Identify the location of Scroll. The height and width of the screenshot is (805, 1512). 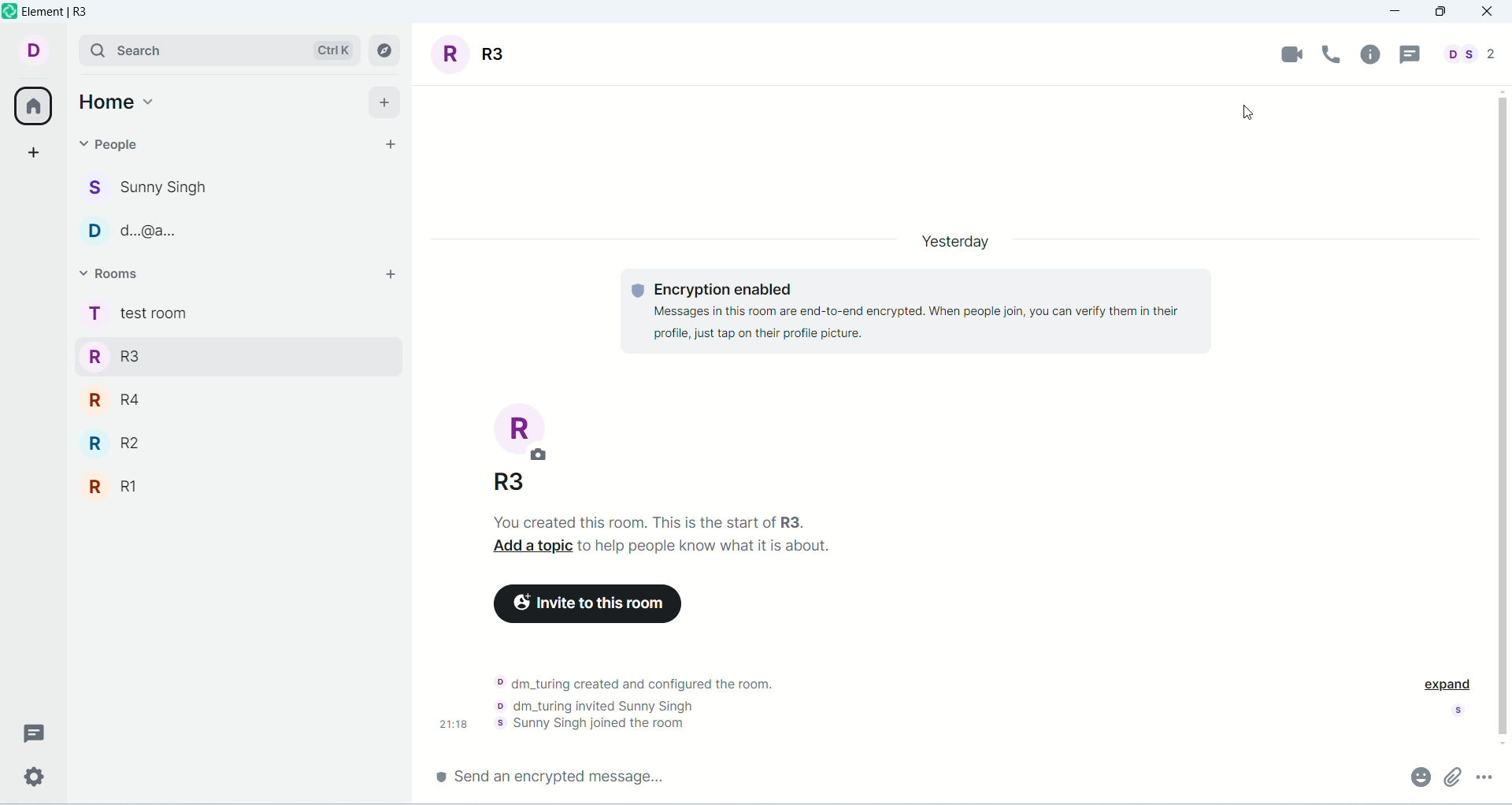
(1503, 415).